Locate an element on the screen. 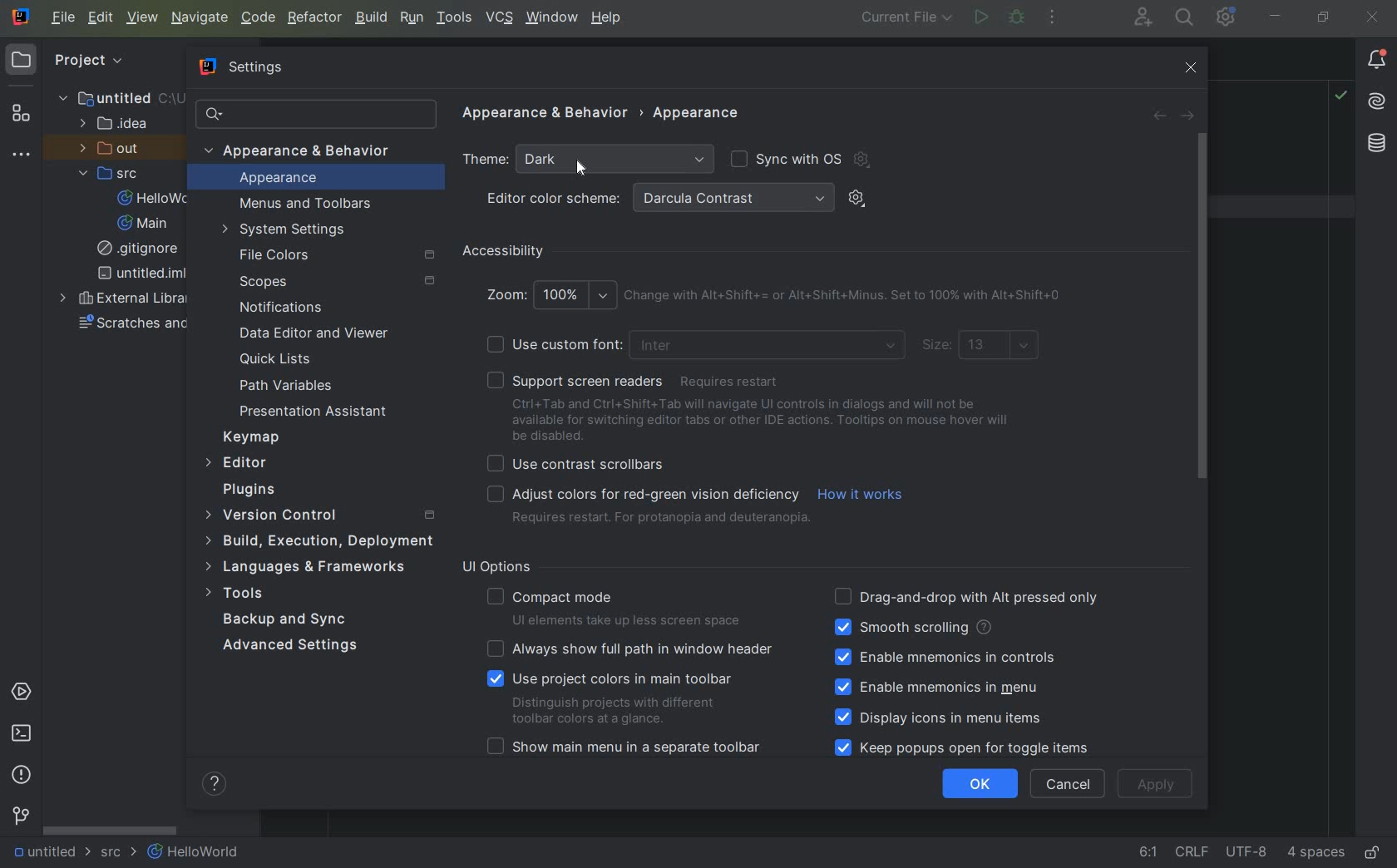  Edit is located at coordinates (99, 19).